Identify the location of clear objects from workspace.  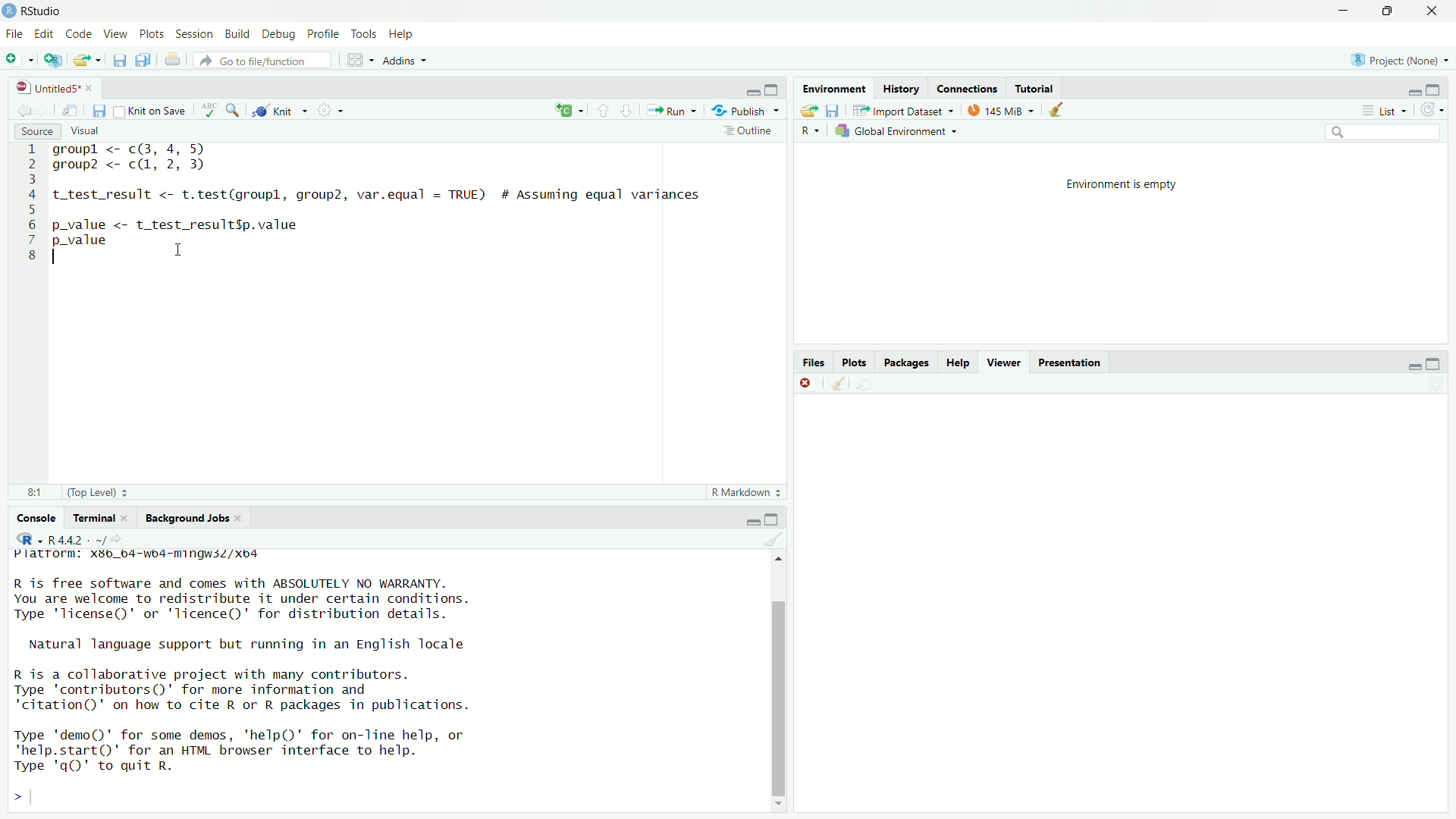
(1059, 109).